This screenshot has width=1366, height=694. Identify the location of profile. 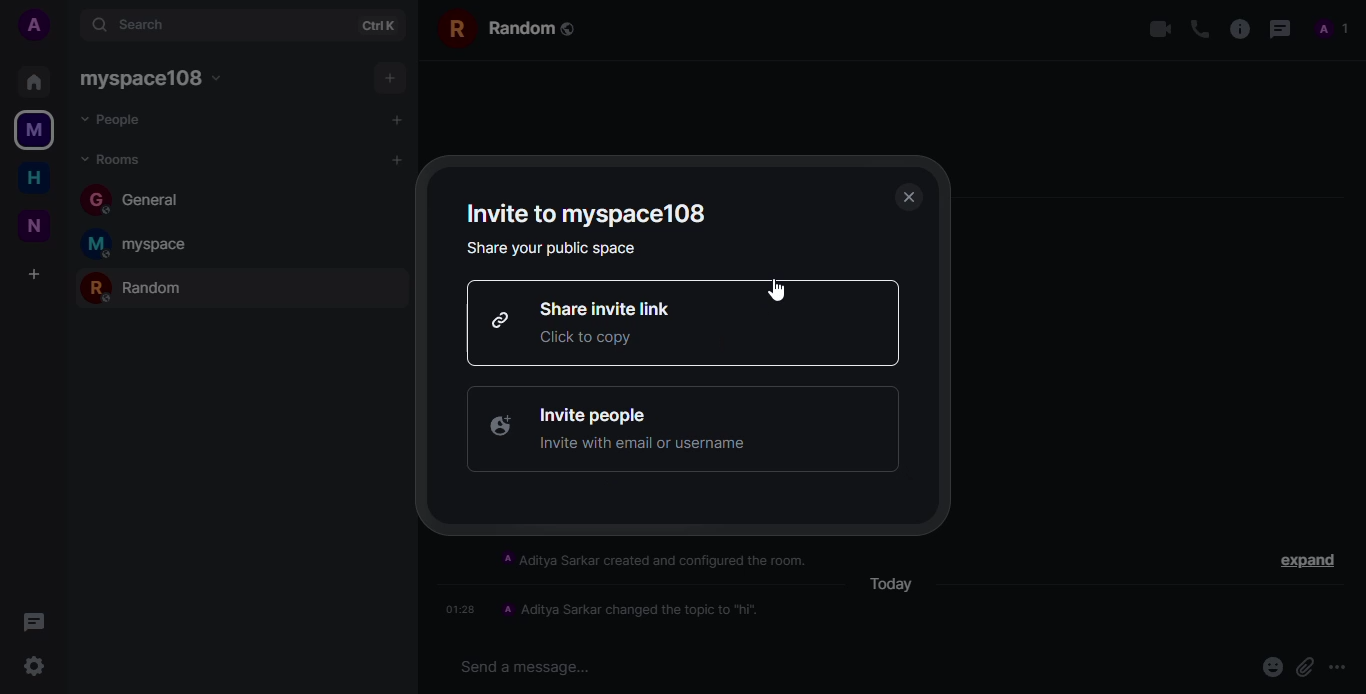
(1331, 28).